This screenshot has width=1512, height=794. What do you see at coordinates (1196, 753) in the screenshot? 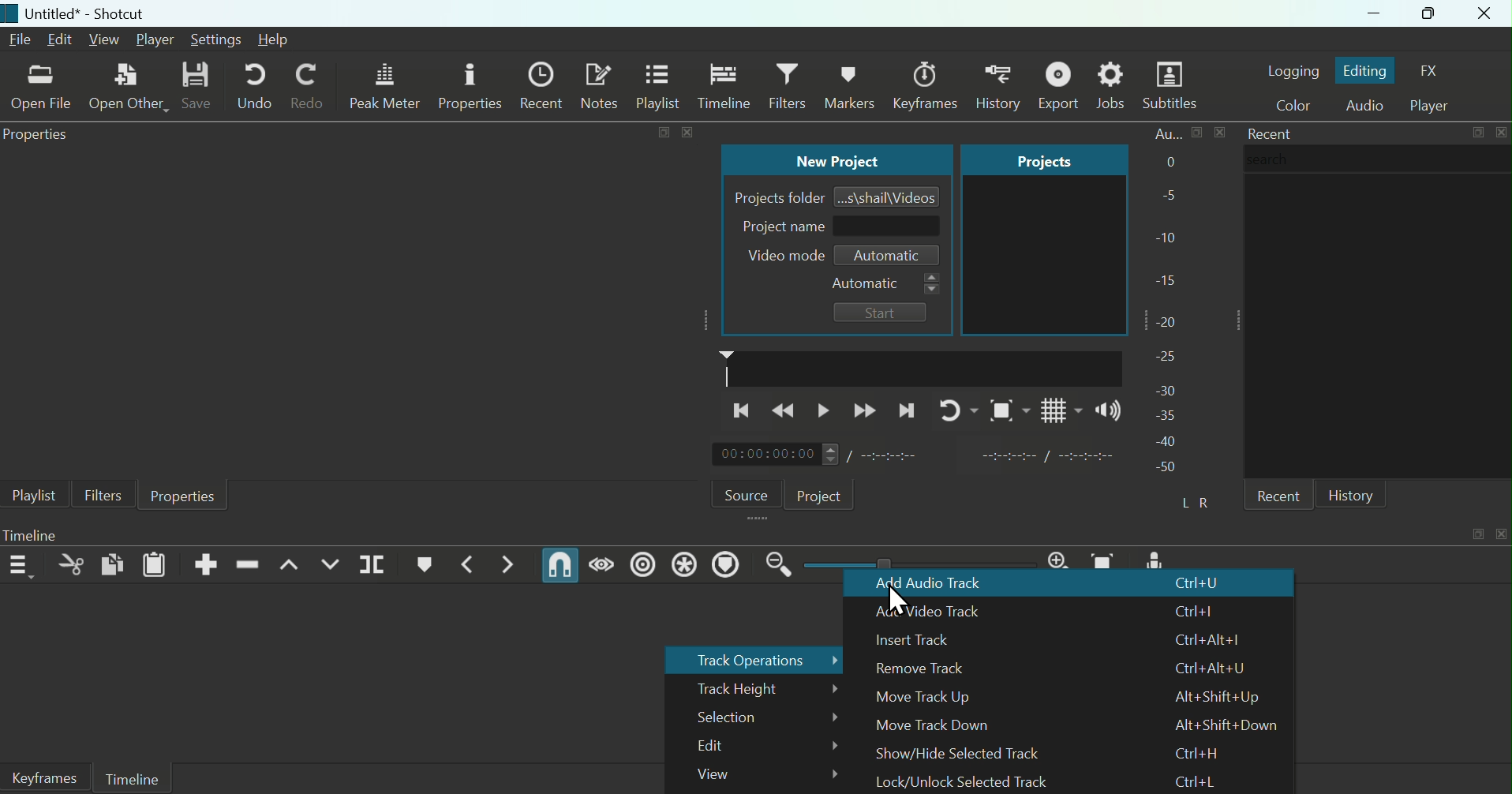
I see `Ctrl+H` at bounding box center [1196, 753].